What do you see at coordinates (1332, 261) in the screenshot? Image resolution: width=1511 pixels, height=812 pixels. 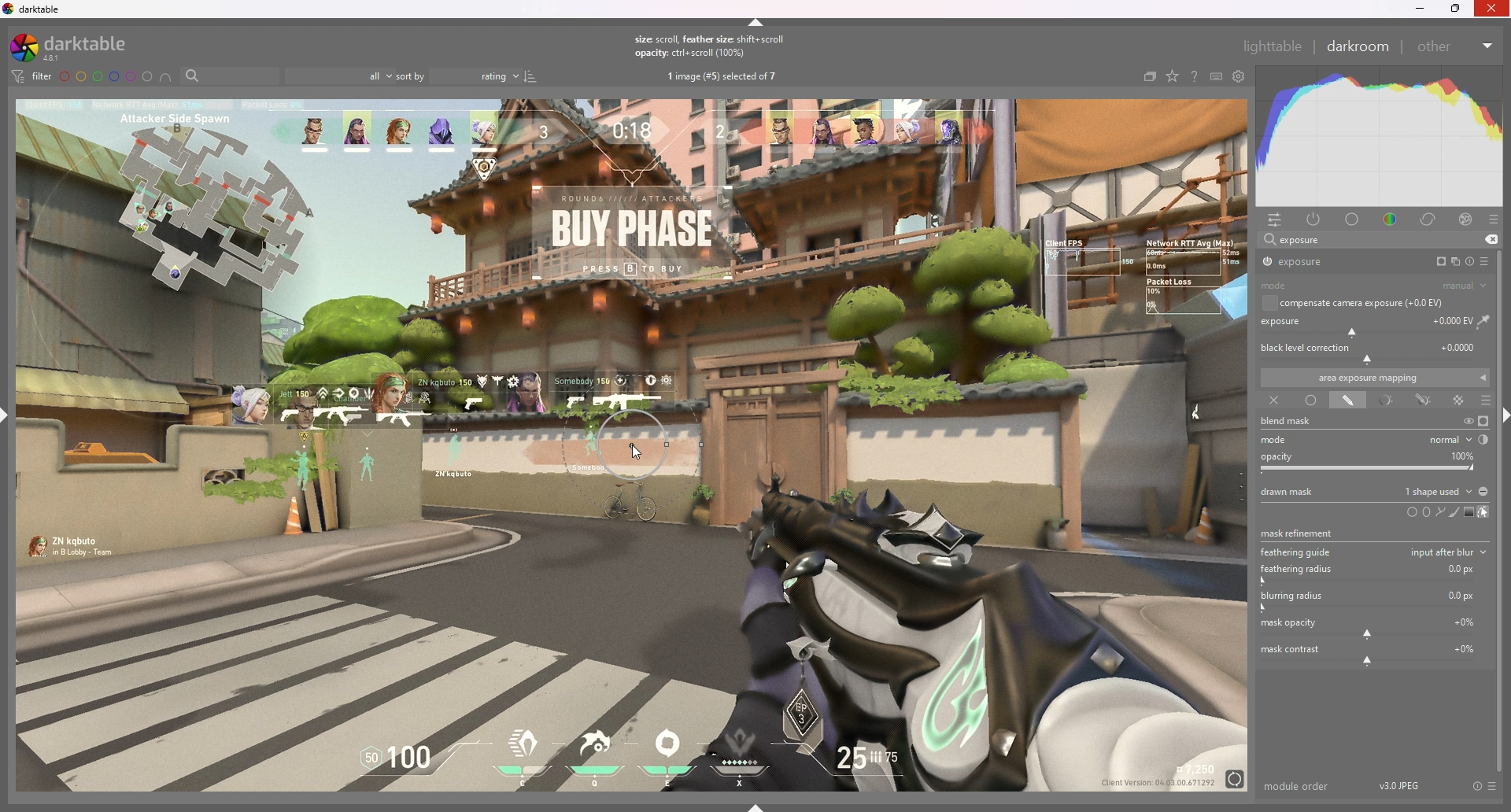 I see `exposure` at bounding box center [1332, 261].